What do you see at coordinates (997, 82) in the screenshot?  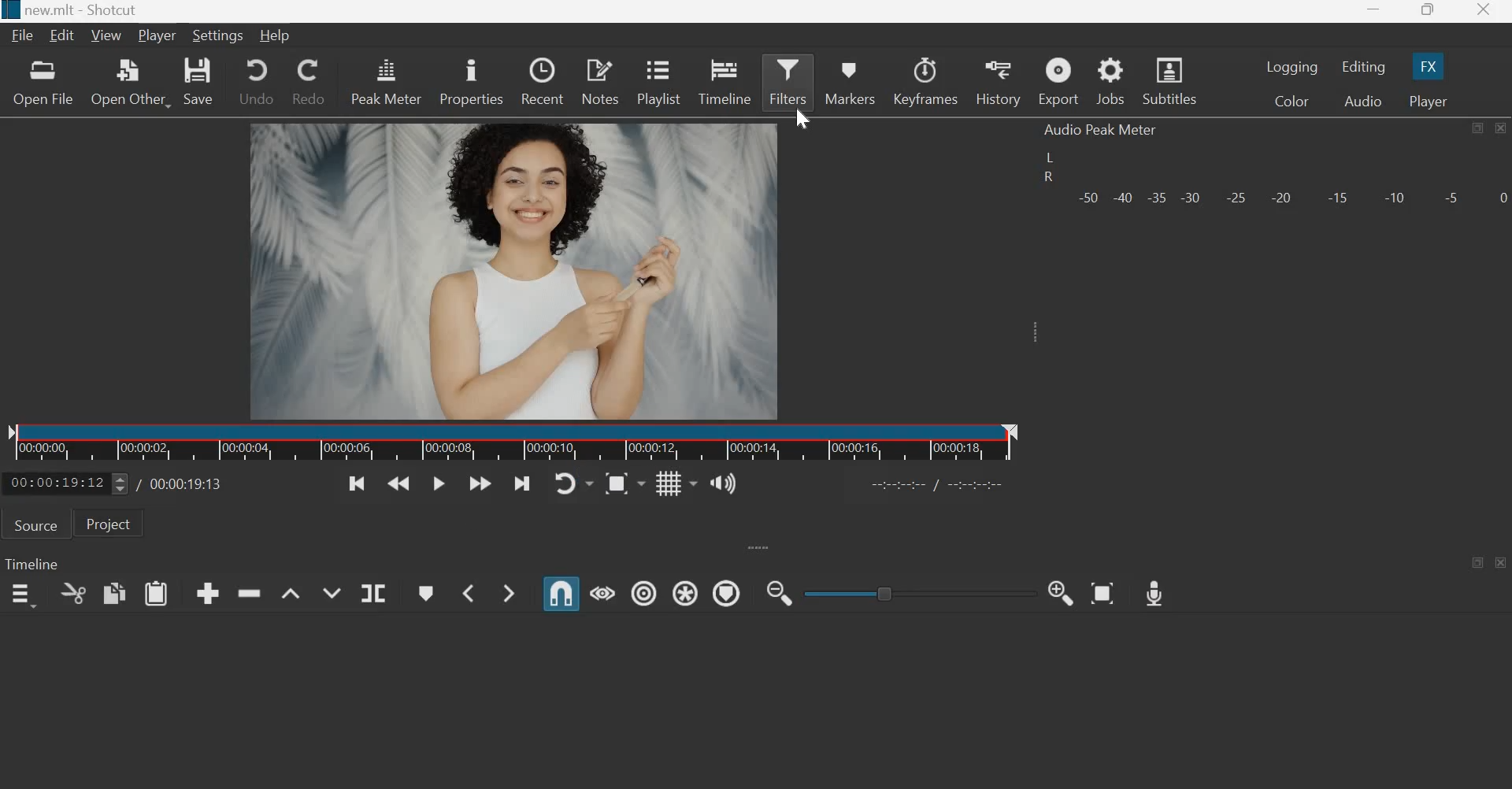 I see `history` at bounding box center [997, 82].